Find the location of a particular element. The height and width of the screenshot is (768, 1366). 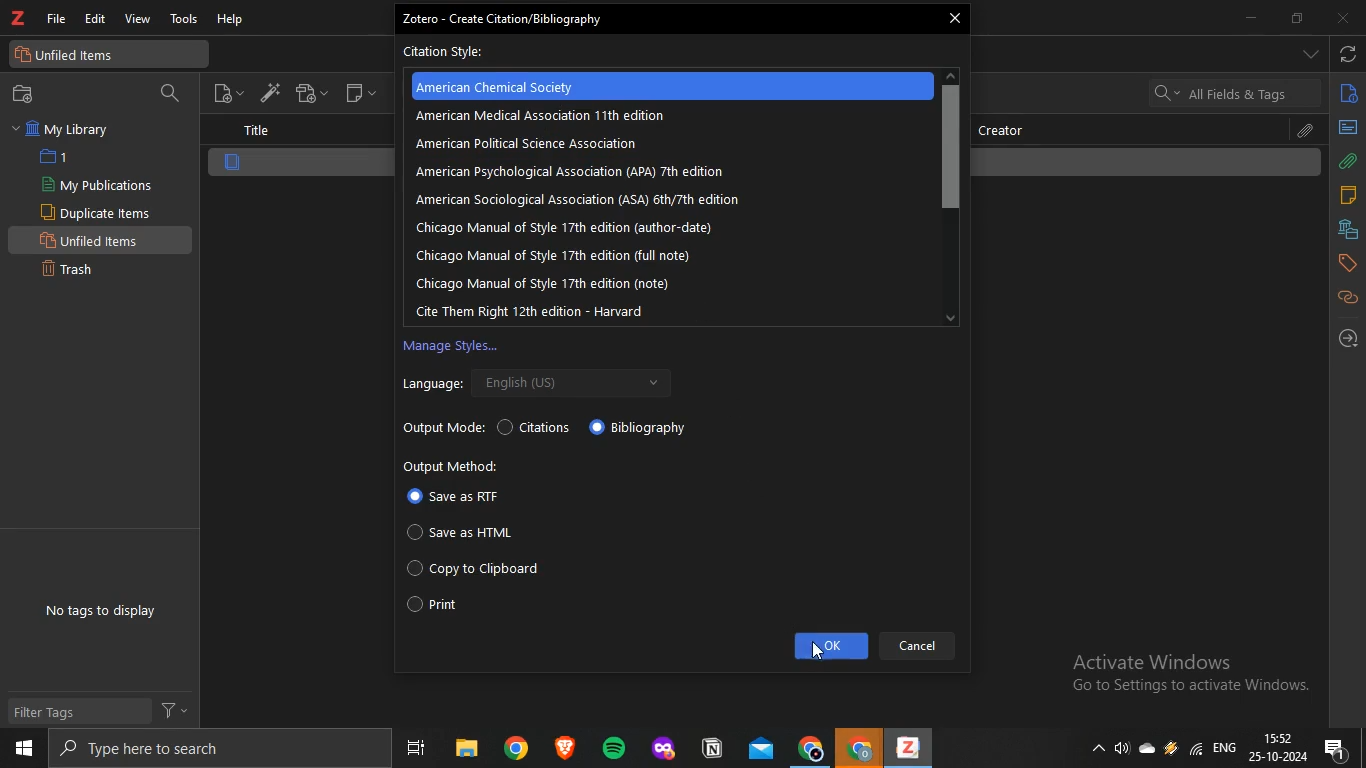

brave is located at coordinates (563, 747).